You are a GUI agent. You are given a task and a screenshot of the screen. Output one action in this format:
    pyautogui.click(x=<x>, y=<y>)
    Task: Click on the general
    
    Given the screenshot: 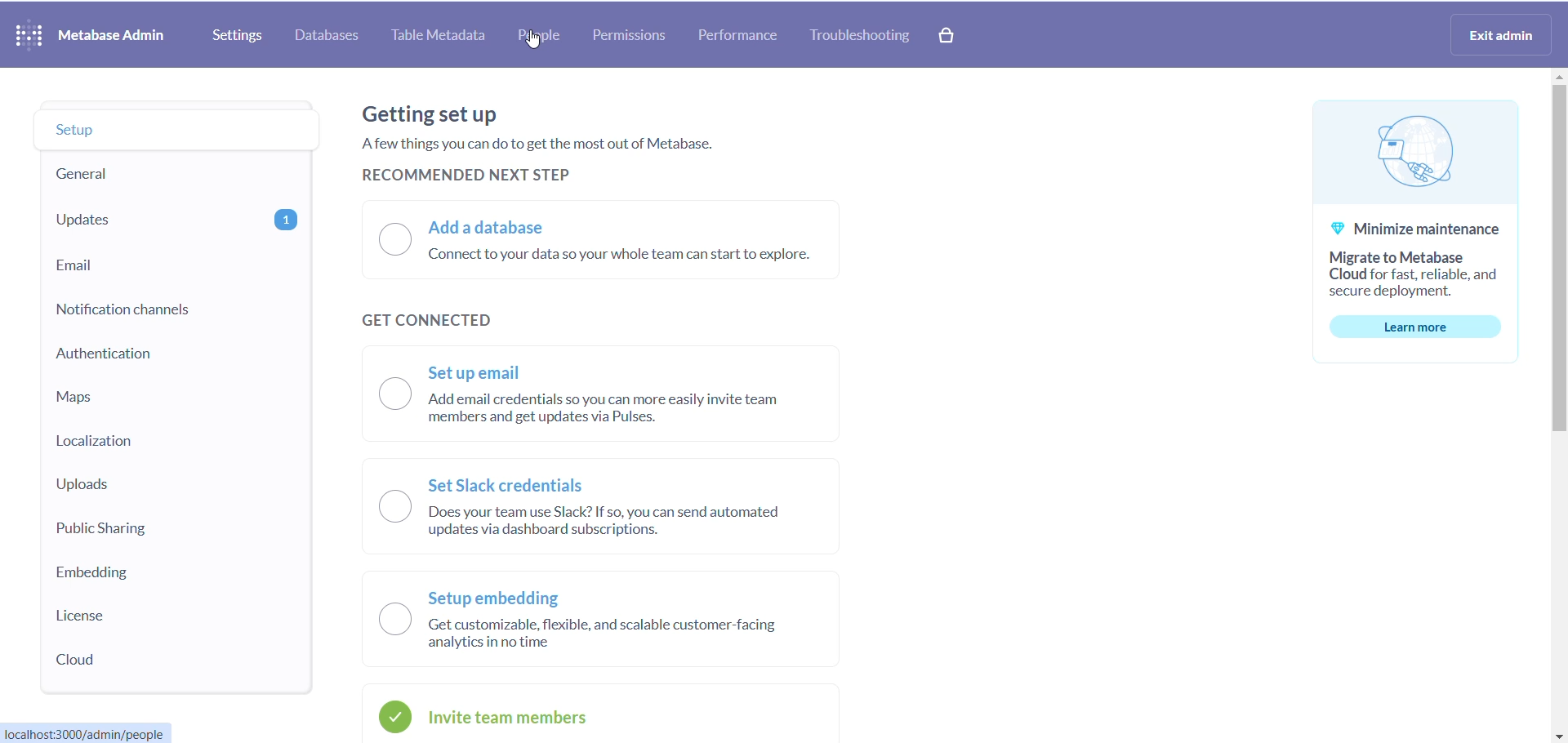 What is the action you would take?
    pyautogui.click(x=148, y=176)
    